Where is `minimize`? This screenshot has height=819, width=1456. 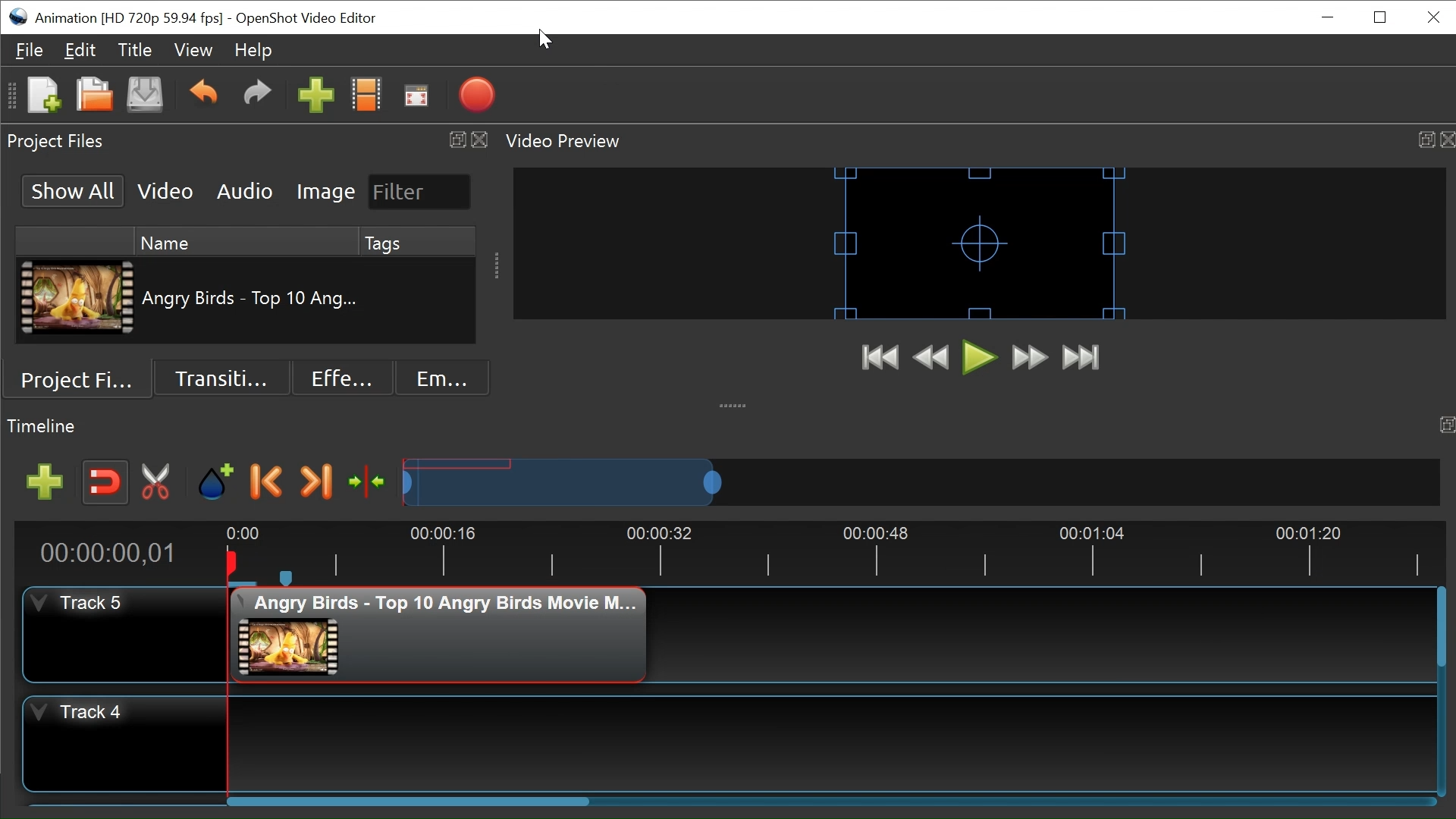 minimize is located at coordinates (1329, 17).